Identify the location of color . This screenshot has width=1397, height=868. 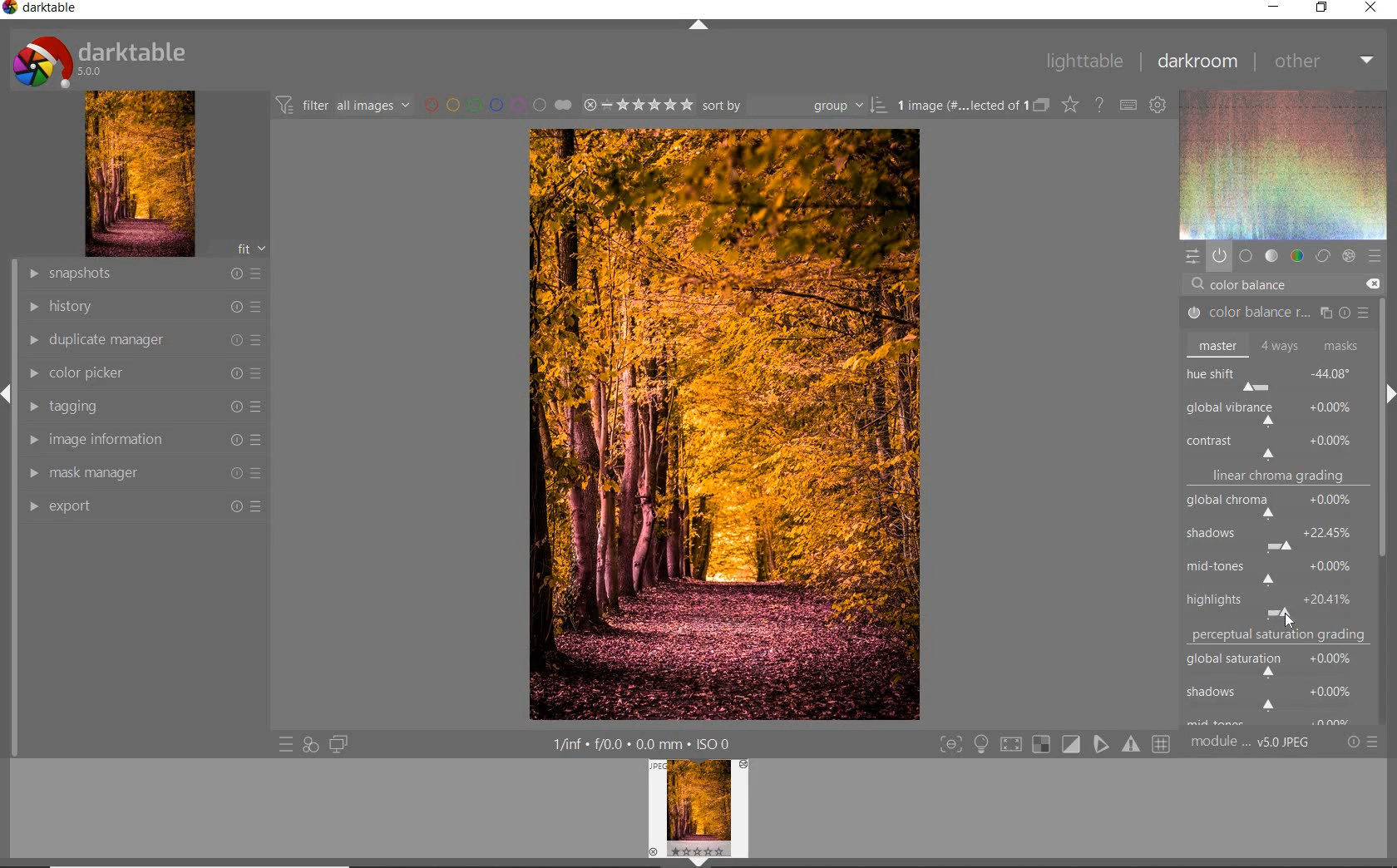
(1296, 256).